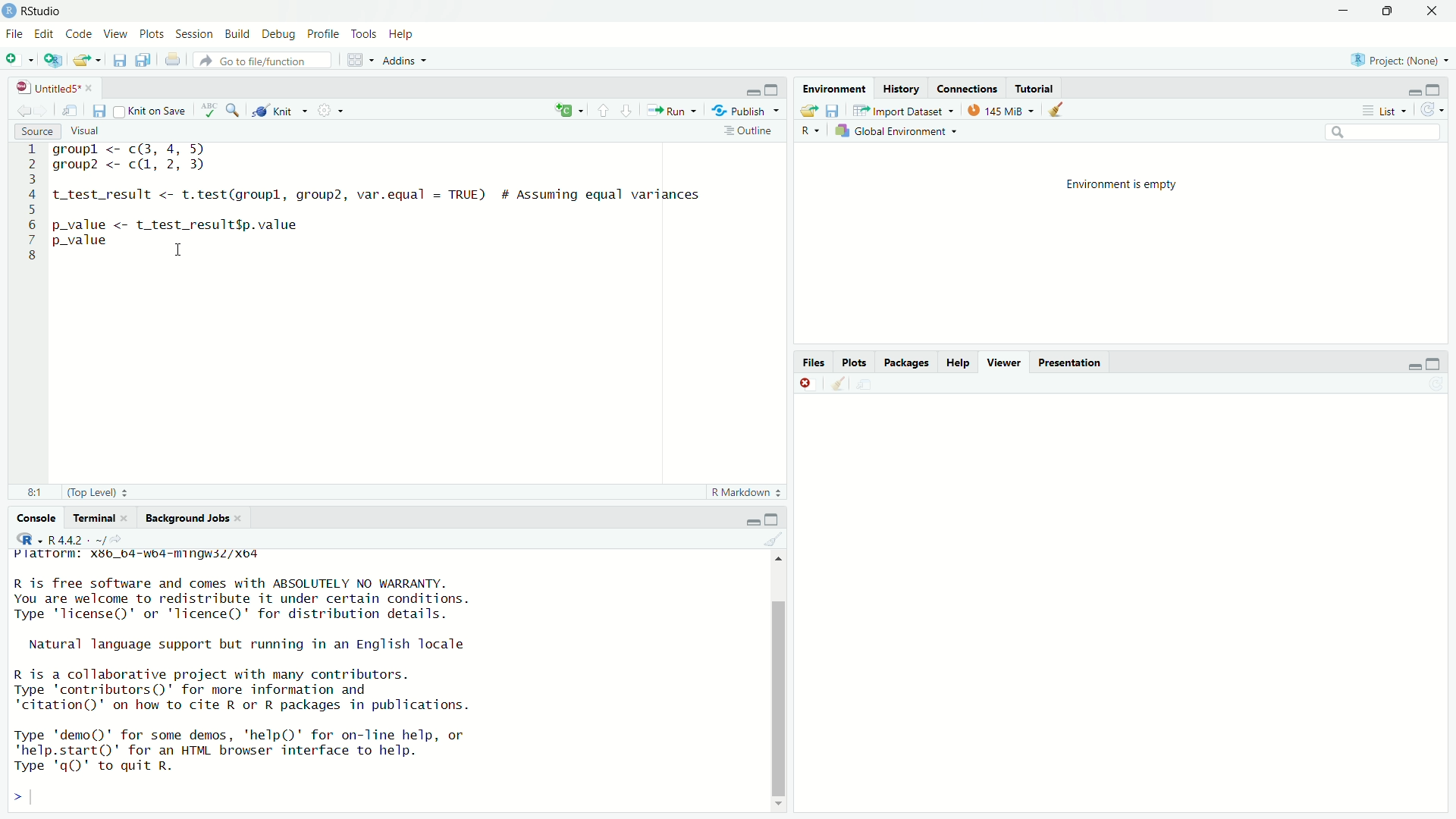 This screenshot has height=819, width=1456. Describe the element at coordinates (14, 34) in the screenshot. I see `File` at that location.